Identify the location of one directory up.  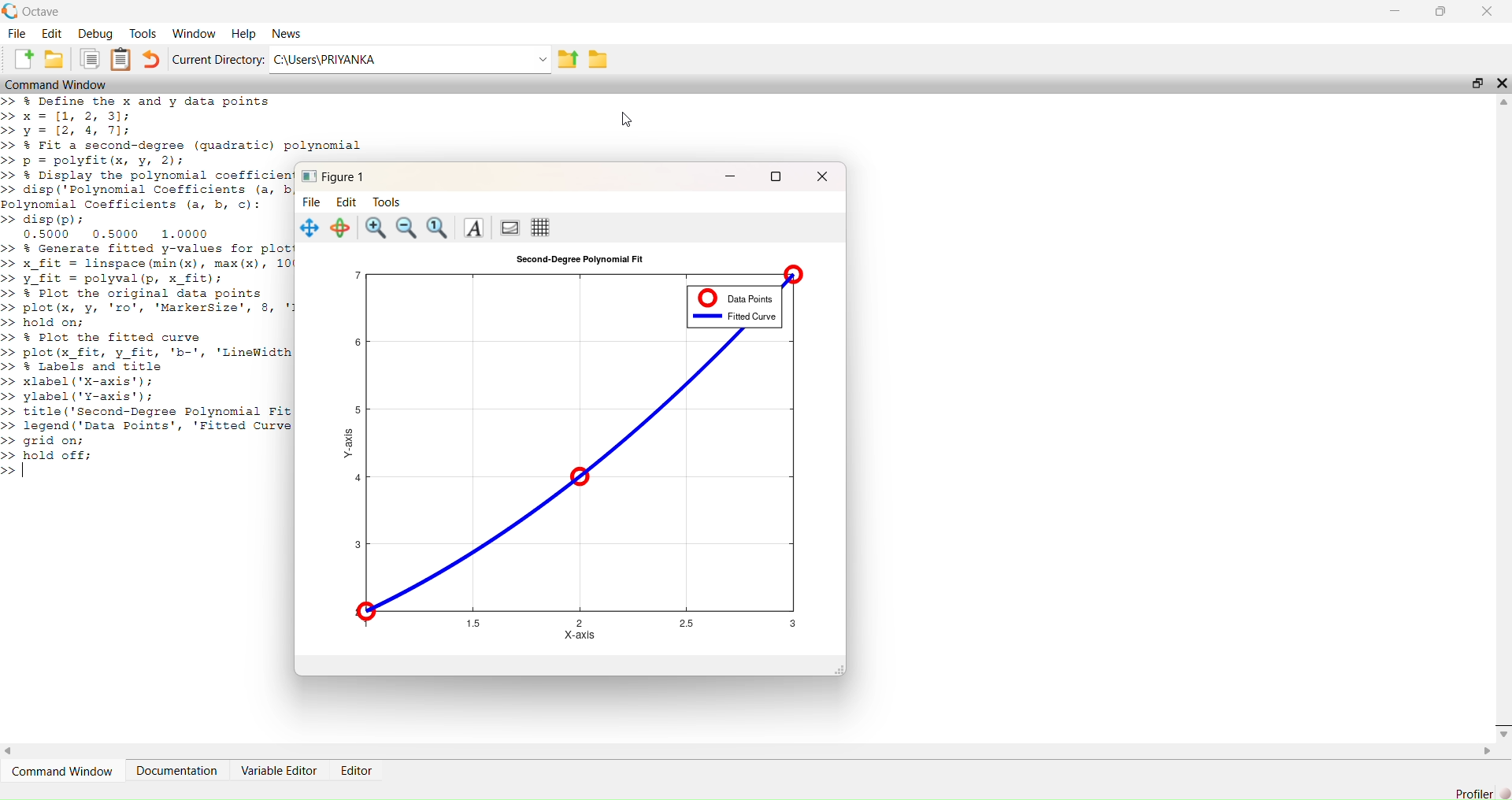
(570, 57).